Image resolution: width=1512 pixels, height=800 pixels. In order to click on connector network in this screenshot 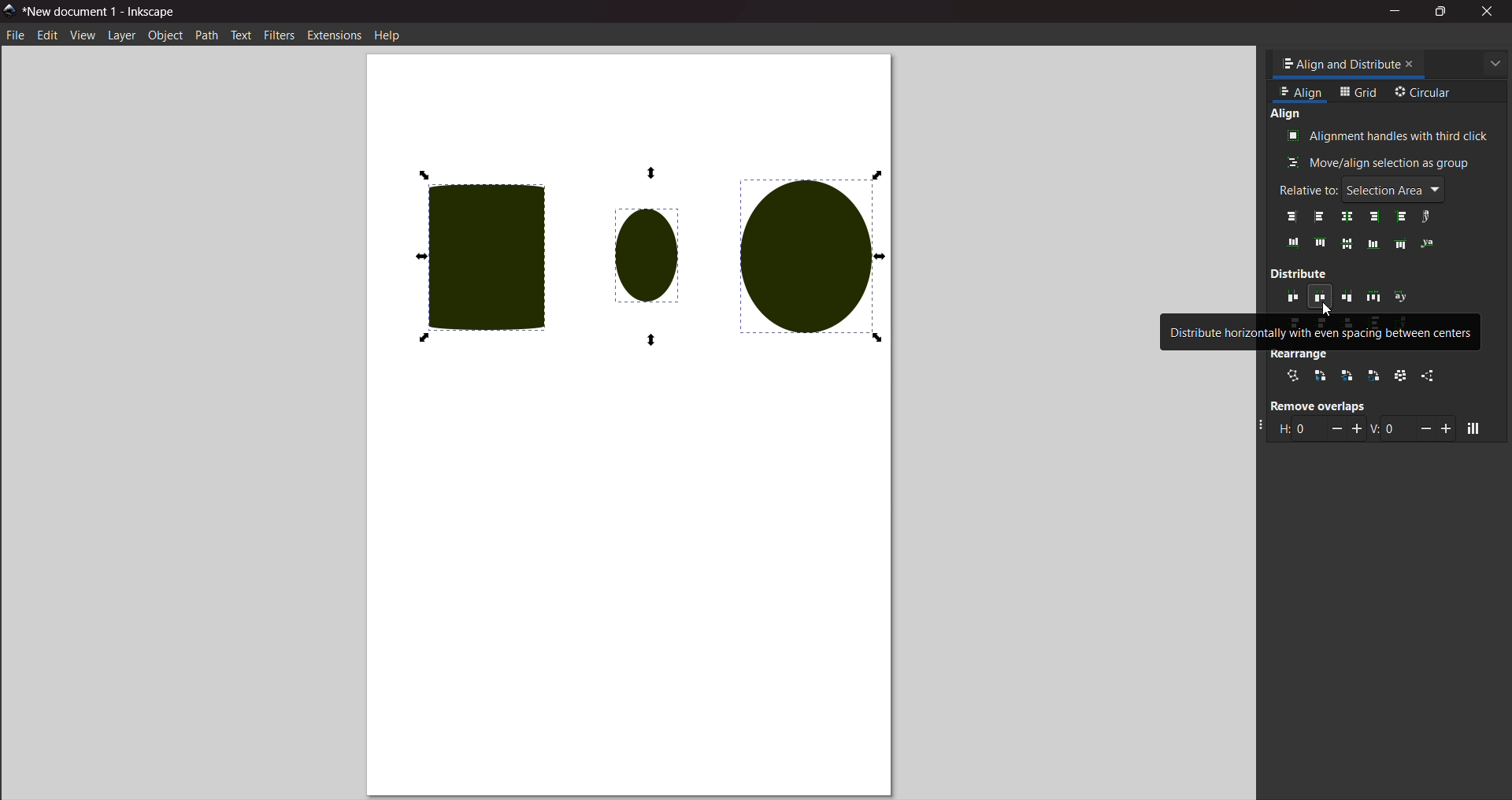, I will do `click(1291, 376)`.